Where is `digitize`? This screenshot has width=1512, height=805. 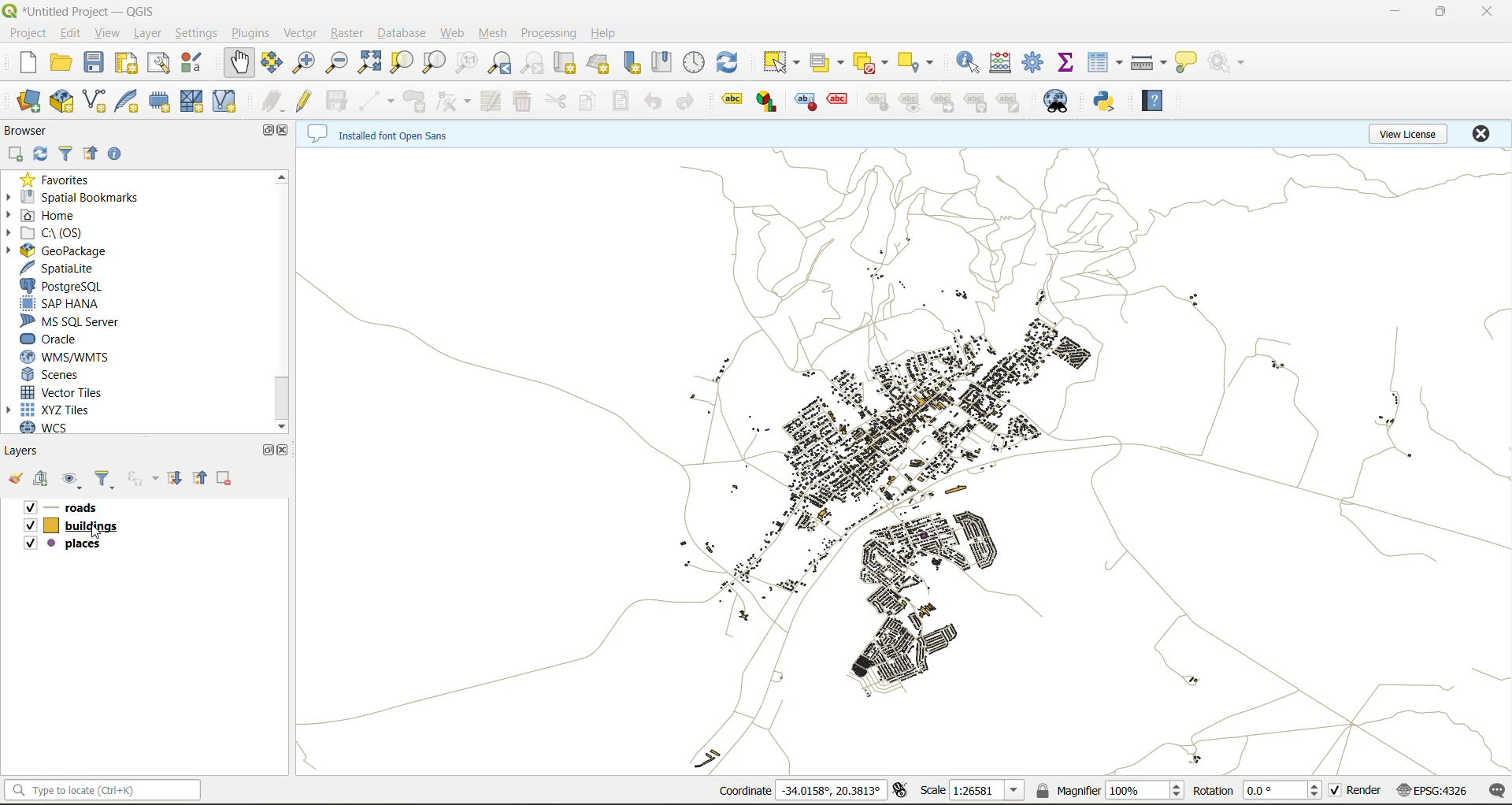
digitize is located at coordinates (378, 99).